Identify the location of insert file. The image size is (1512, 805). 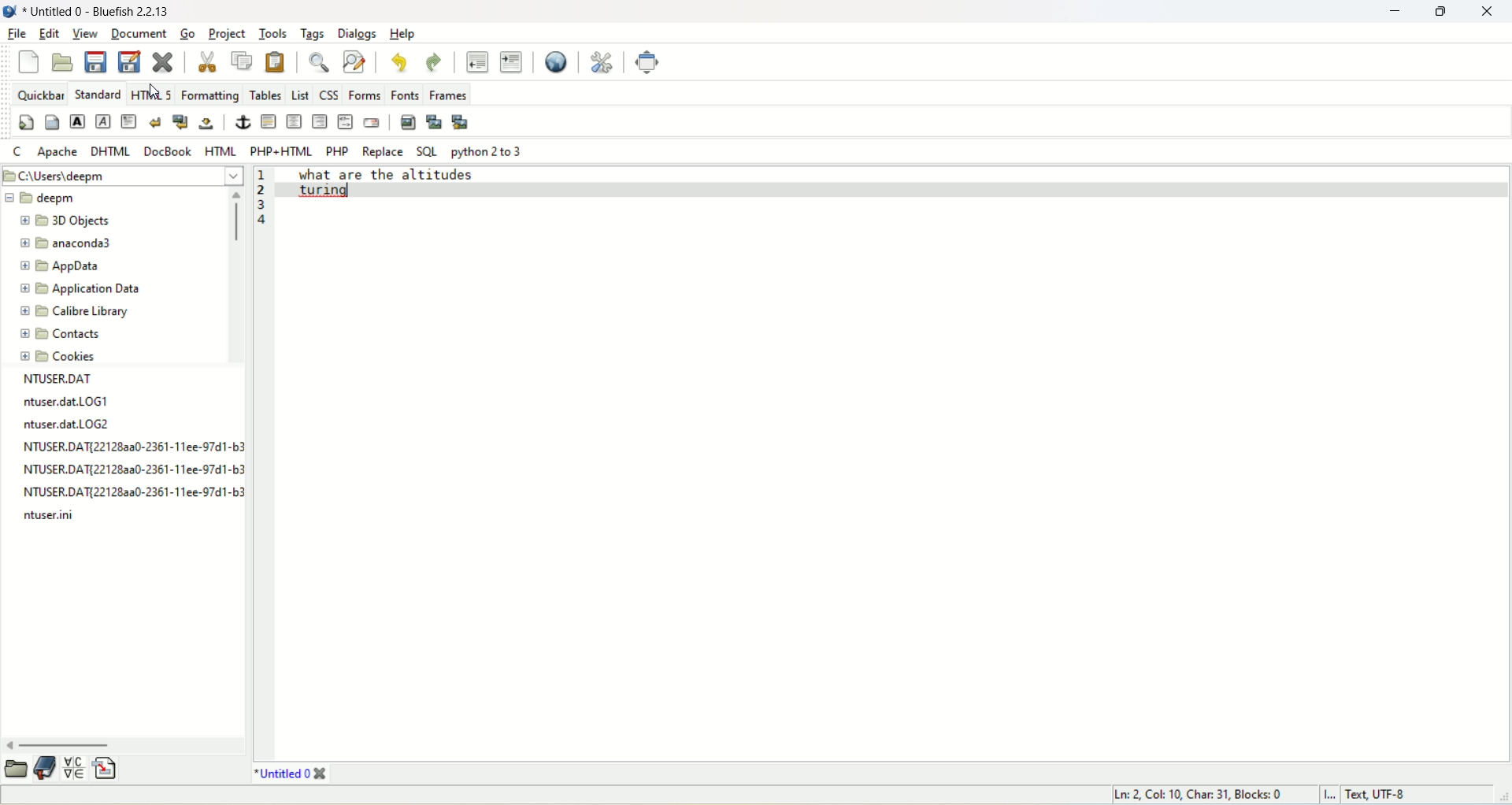
(109, 768).